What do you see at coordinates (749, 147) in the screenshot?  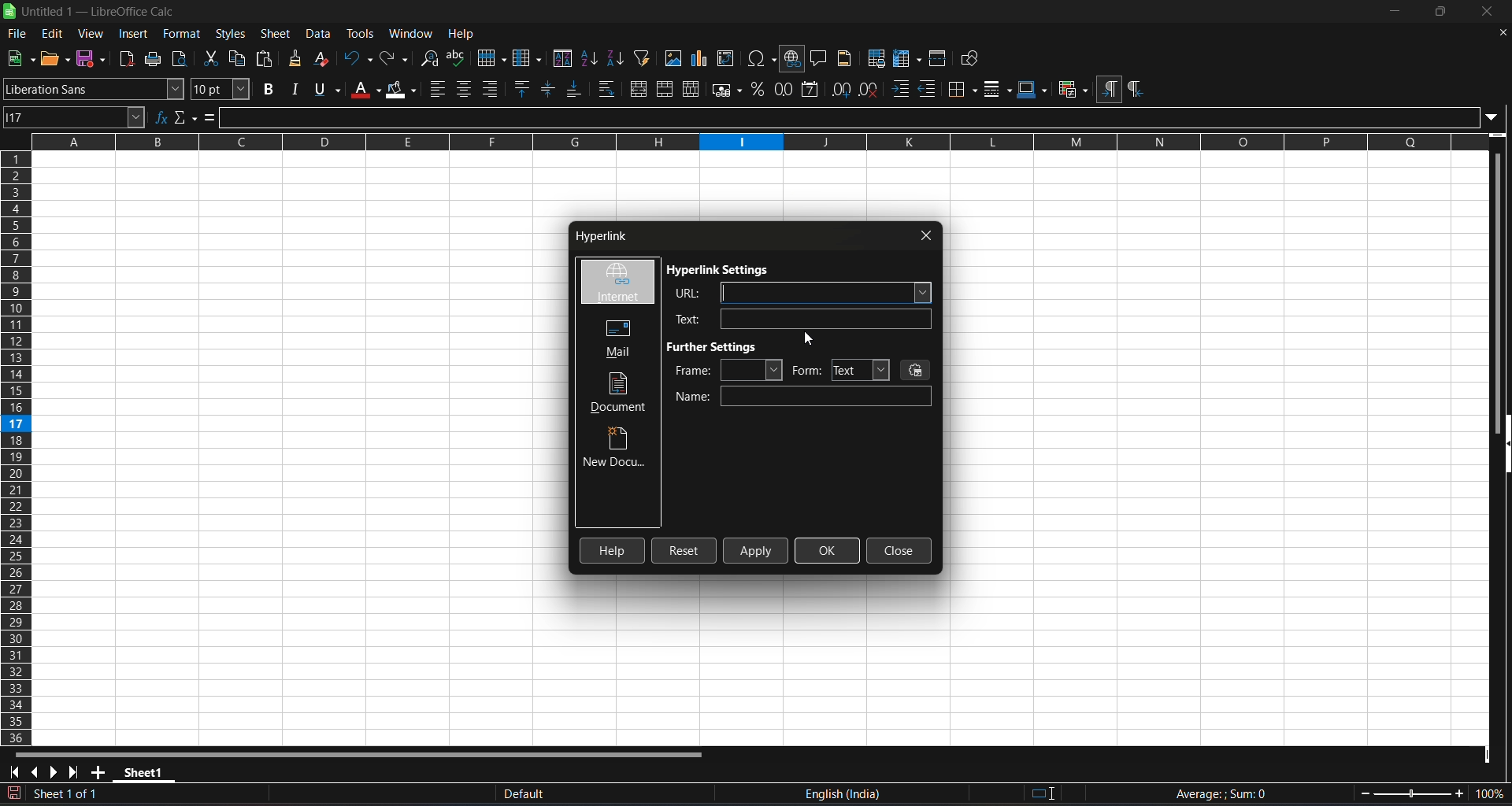 I see `rows` at bounding box center [749, 147].